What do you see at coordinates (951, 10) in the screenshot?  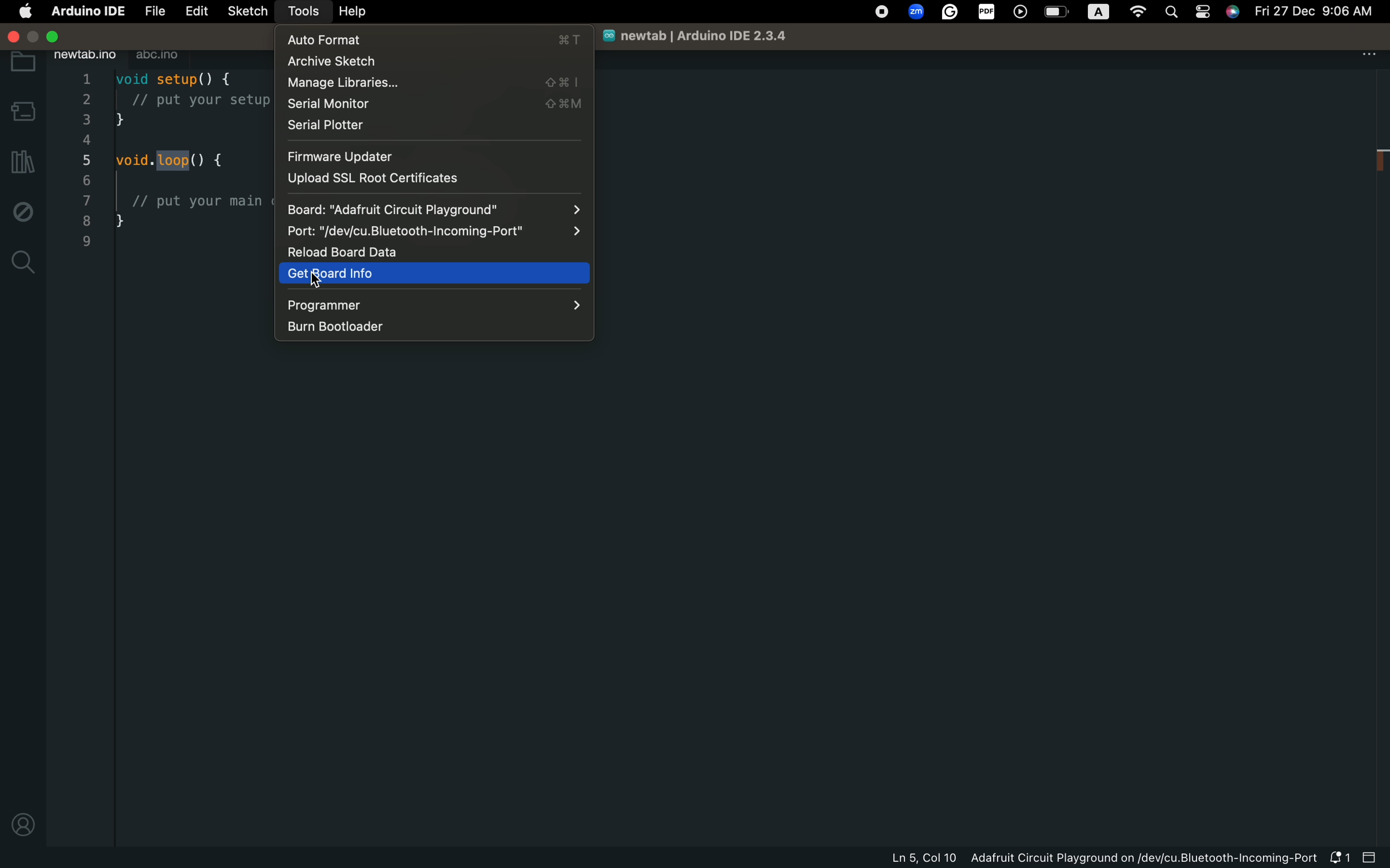 I see `Grammerly` at bounding box center [951, 10].